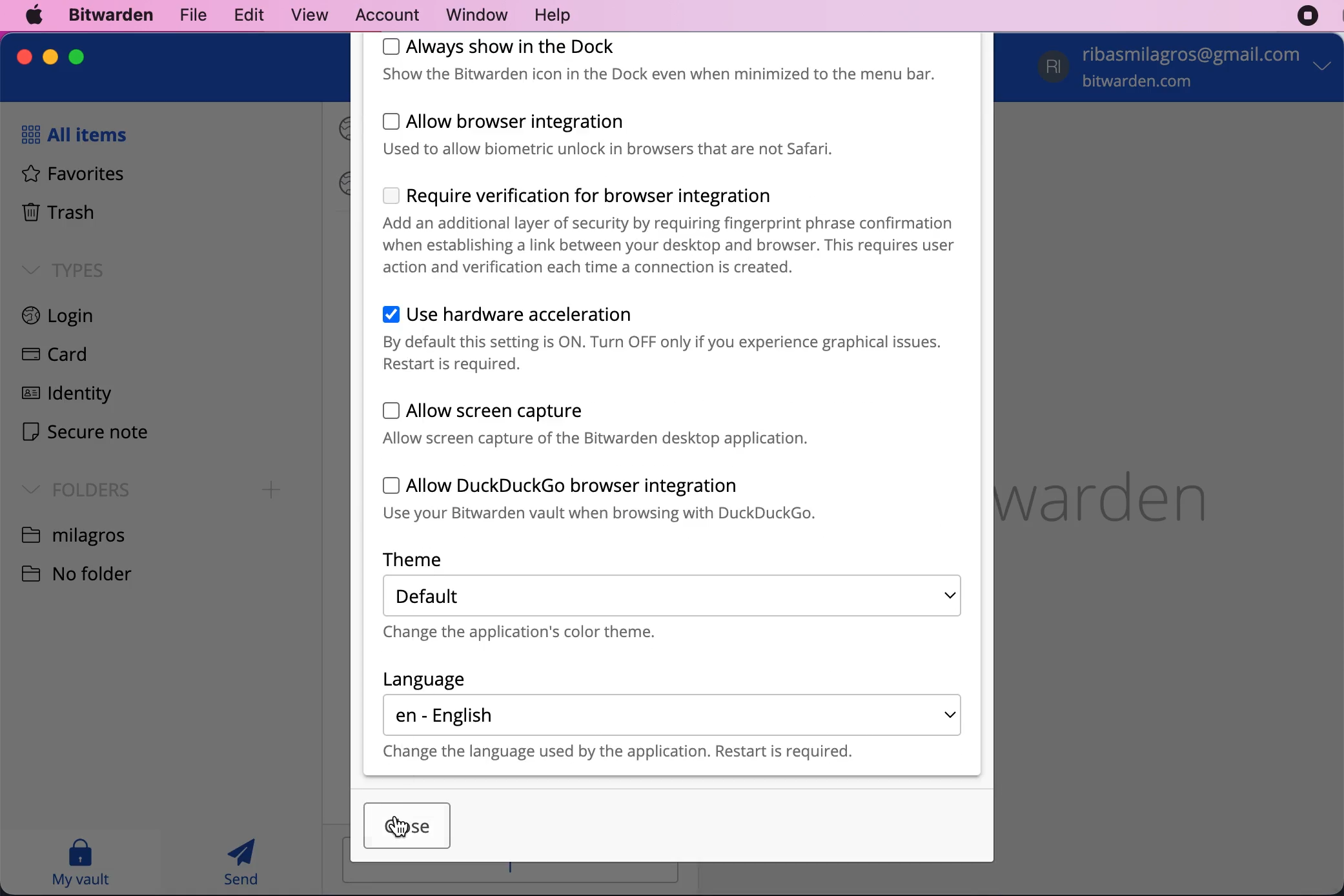 This screenshot has height=896, width=1344. I want to click on minimize, so click(50, 57).